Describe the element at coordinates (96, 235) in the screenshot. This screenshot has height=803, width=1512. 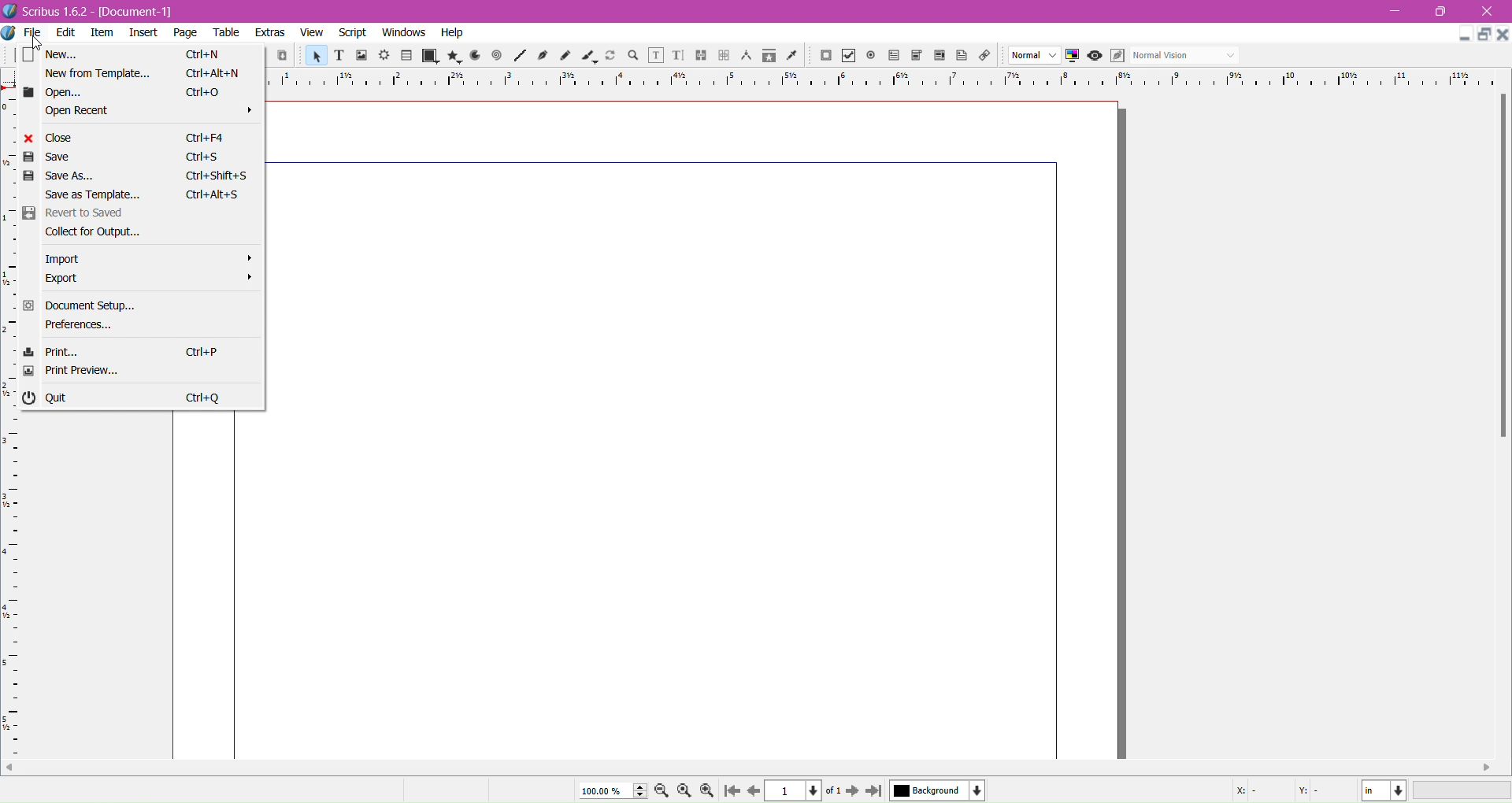
I see `Collect for Output` at that location.